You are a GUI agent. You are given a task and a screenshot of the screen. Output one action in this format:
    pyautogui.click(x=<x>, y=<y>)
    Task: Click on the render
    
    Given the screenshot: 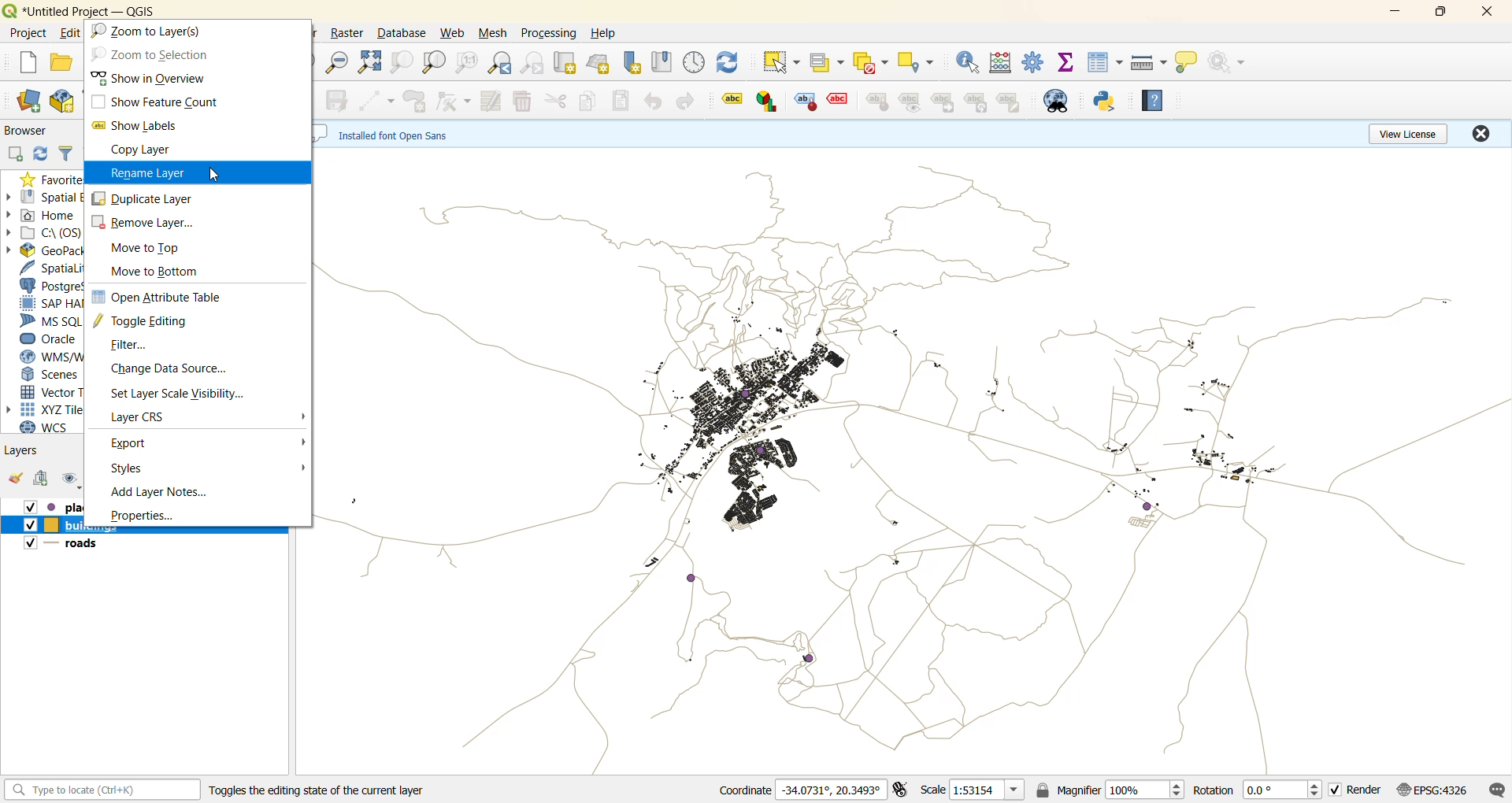 What is the action you would take?
    pyautogui.click(x=1360, y=792)
    